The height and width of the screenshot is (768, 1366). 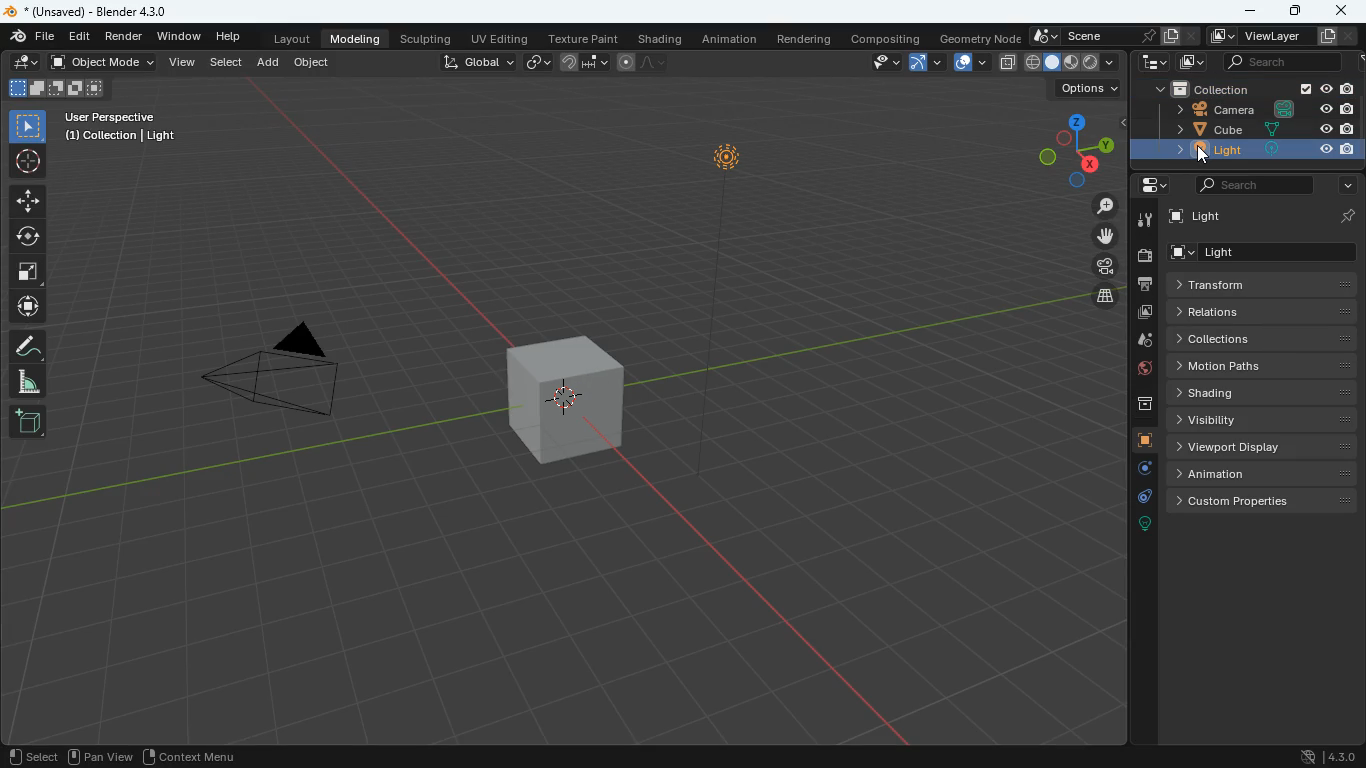 What do you see at coordinates (1143, 497) in the screenshot?
I see `` at bounding box center [1143, 497].